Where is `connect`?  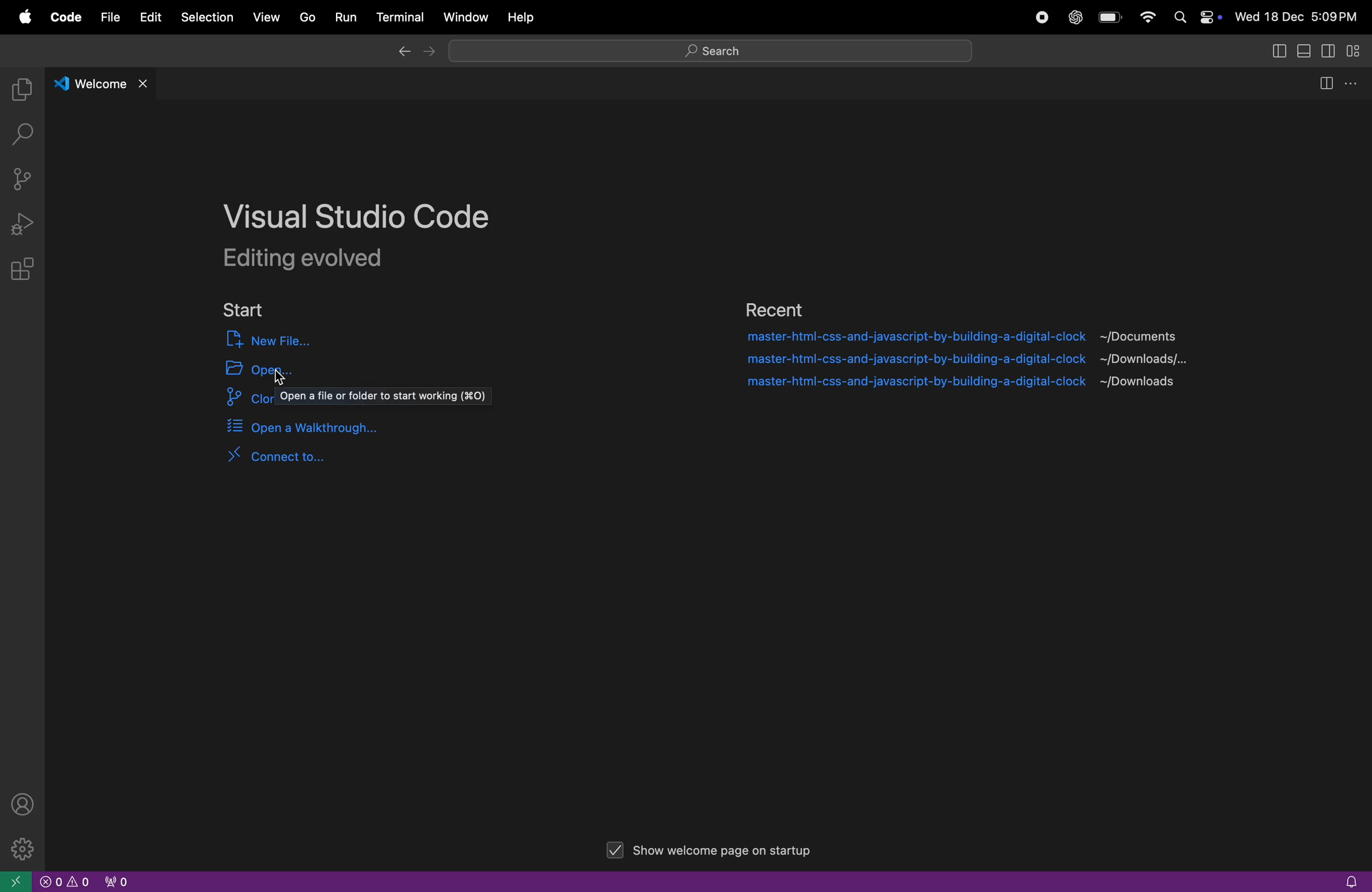
connect is located at coordinates (281, 462).